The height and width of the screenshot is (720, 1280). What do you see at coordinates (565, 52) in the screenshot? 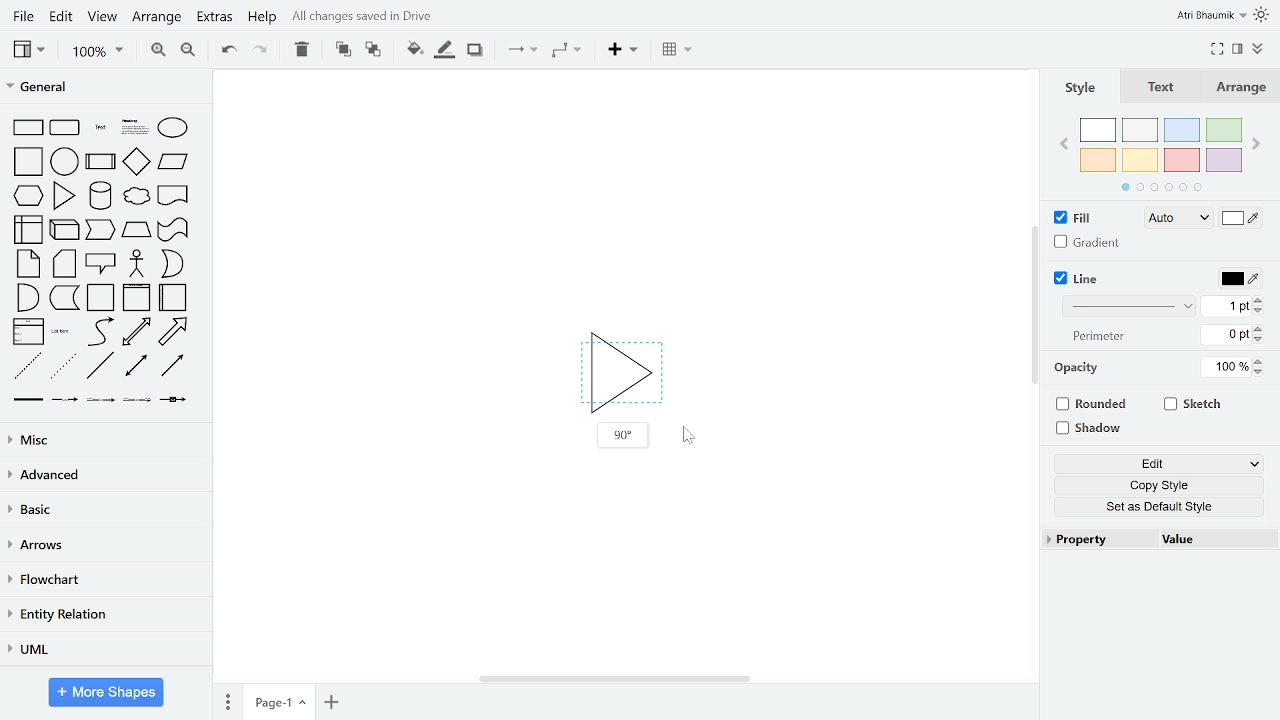
I see `waypoints` at bounding box center [565, 52].